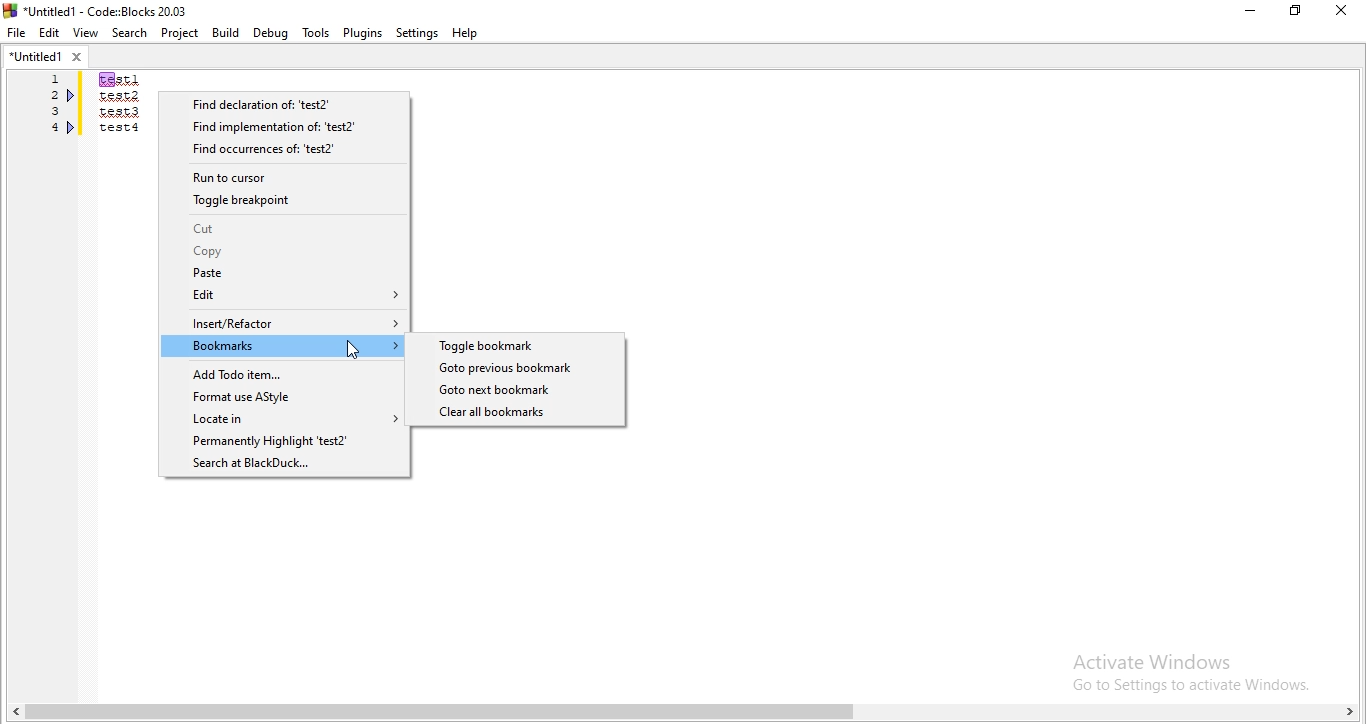  What do you see at coordinates (683, 711) in the screenshot?
I see `scroll bar` at bounding box center [683, 711].